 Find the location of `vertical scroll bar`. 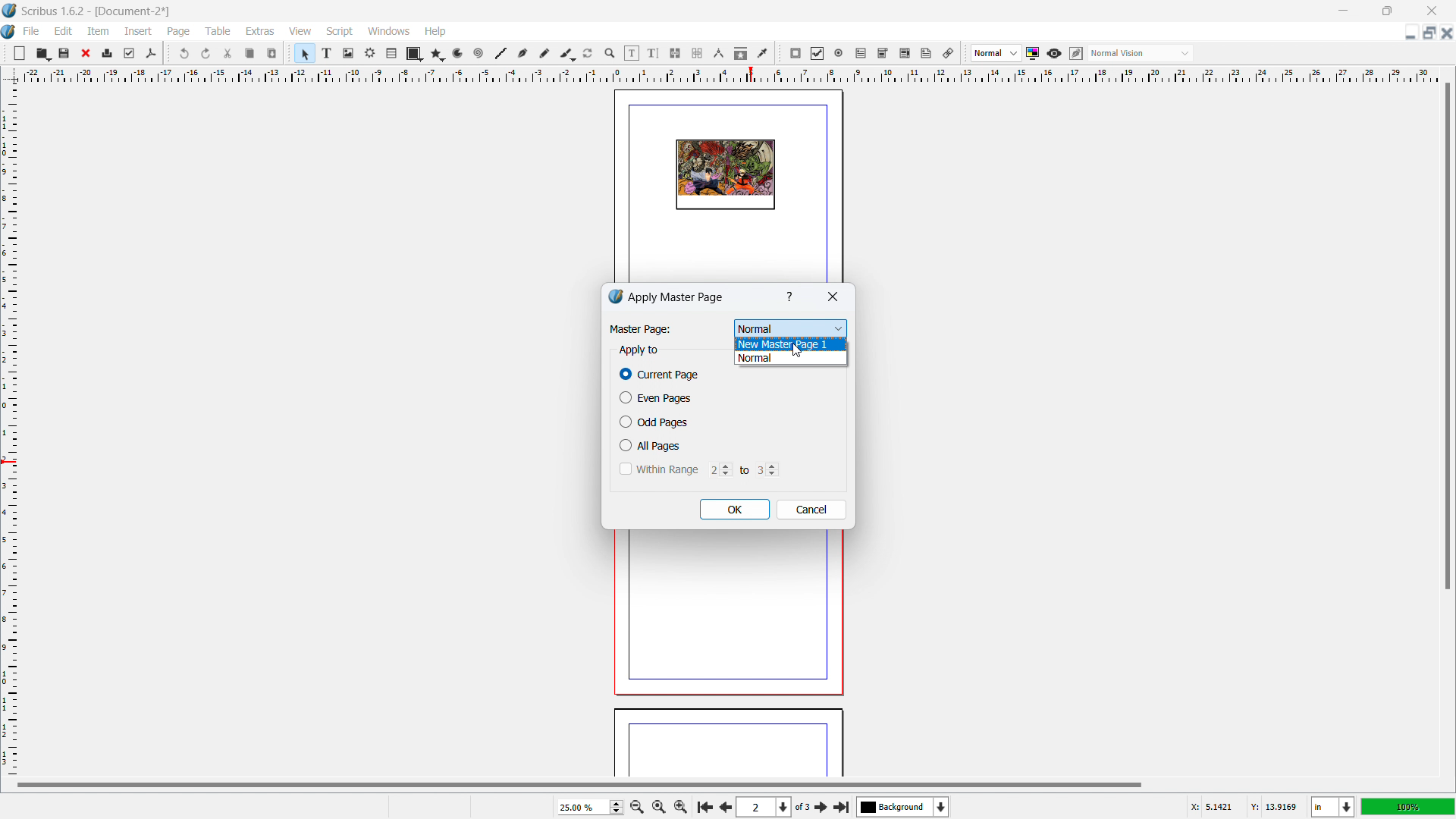

vertical scroll bar is located at coordinates (1445, 339).